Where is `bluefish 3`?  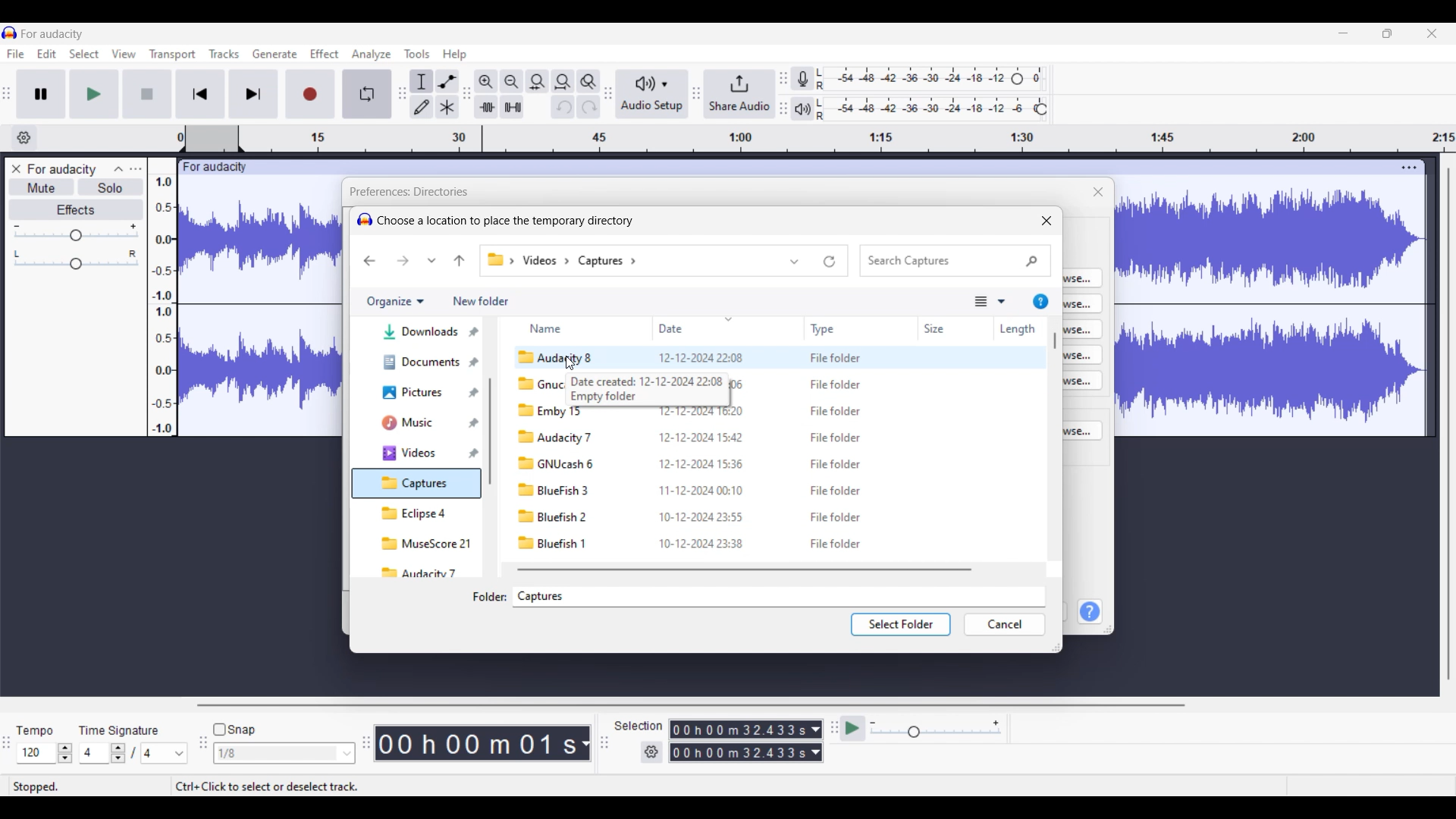
bluefish 3 is located at coordinates (554, 490).